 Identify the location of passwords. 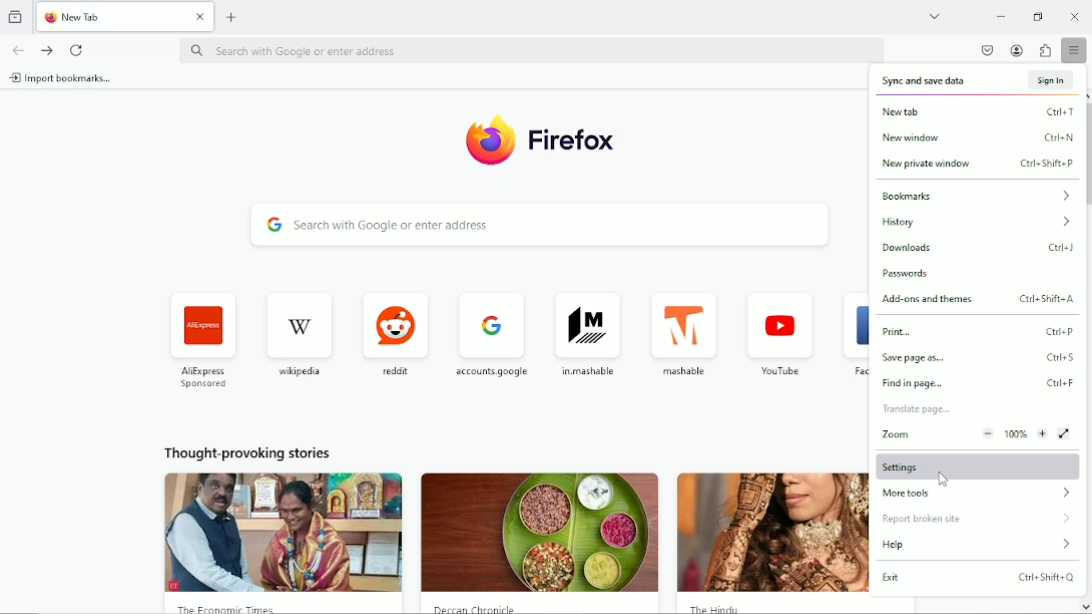
(906, 273).